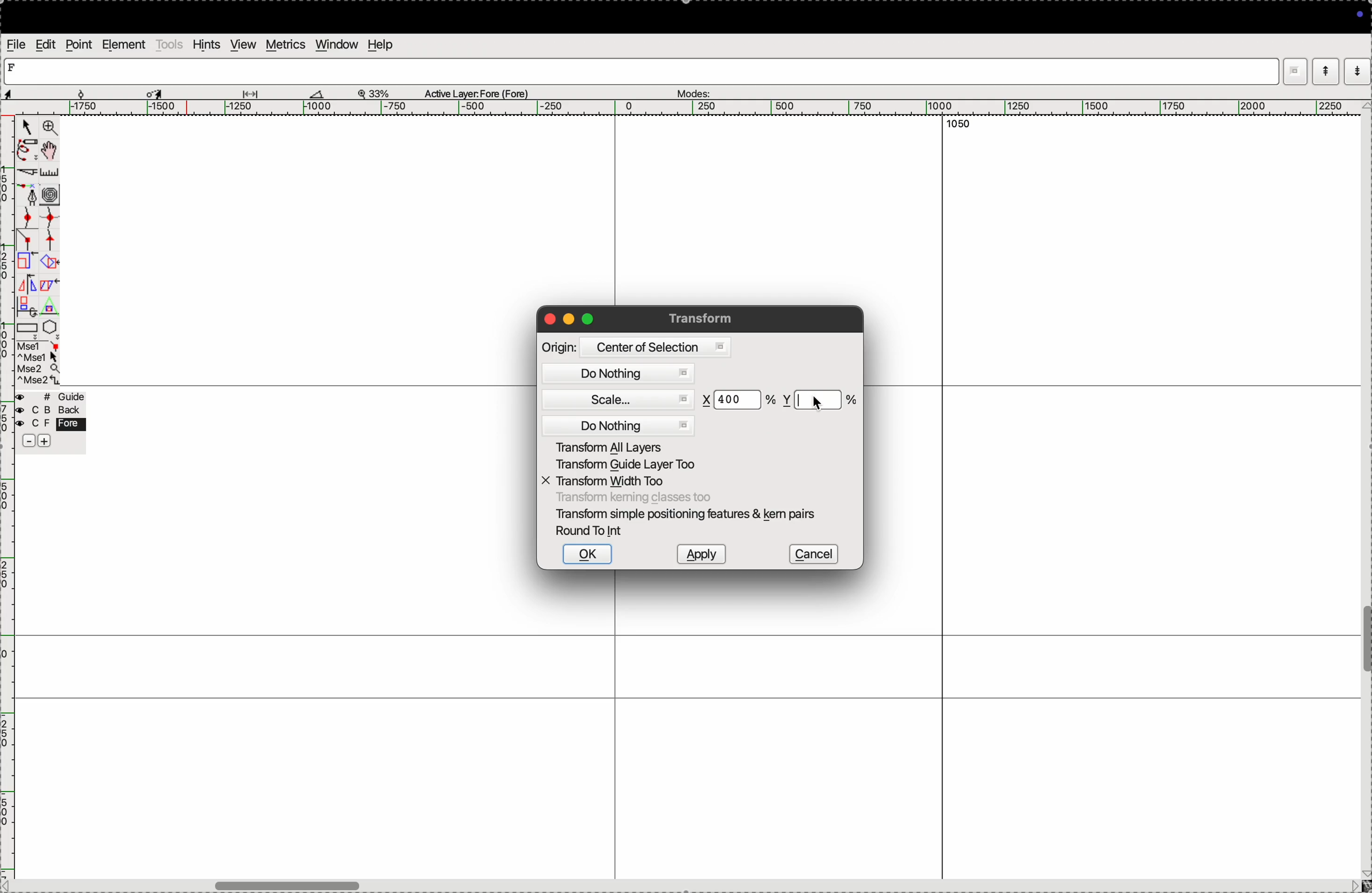  I want to click on closing, so click(549, 319).